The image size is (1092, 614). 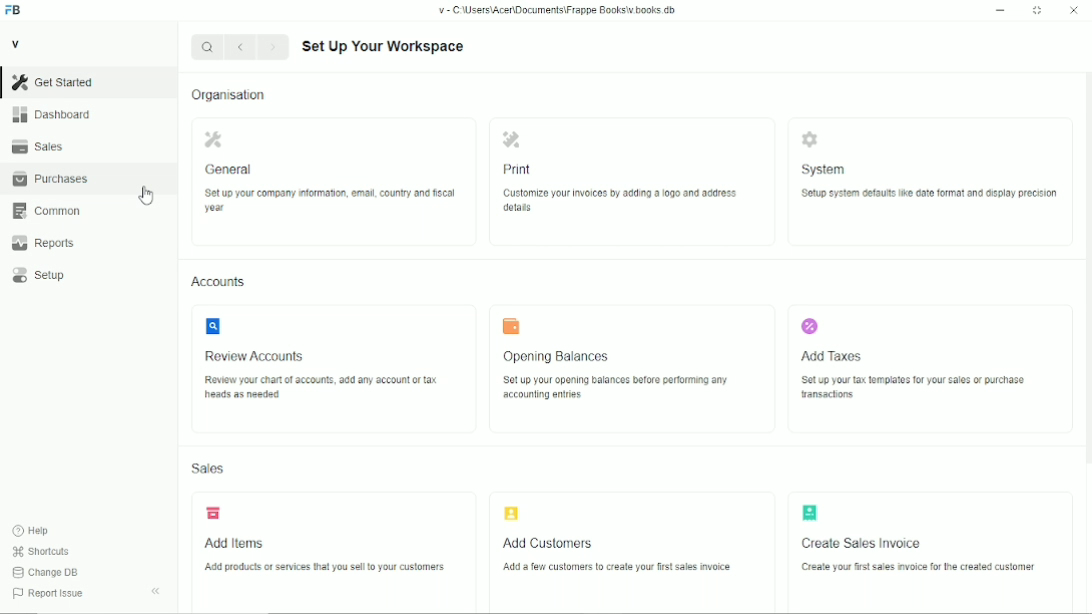 I want to click on Add items, so click(x=233, y=539).